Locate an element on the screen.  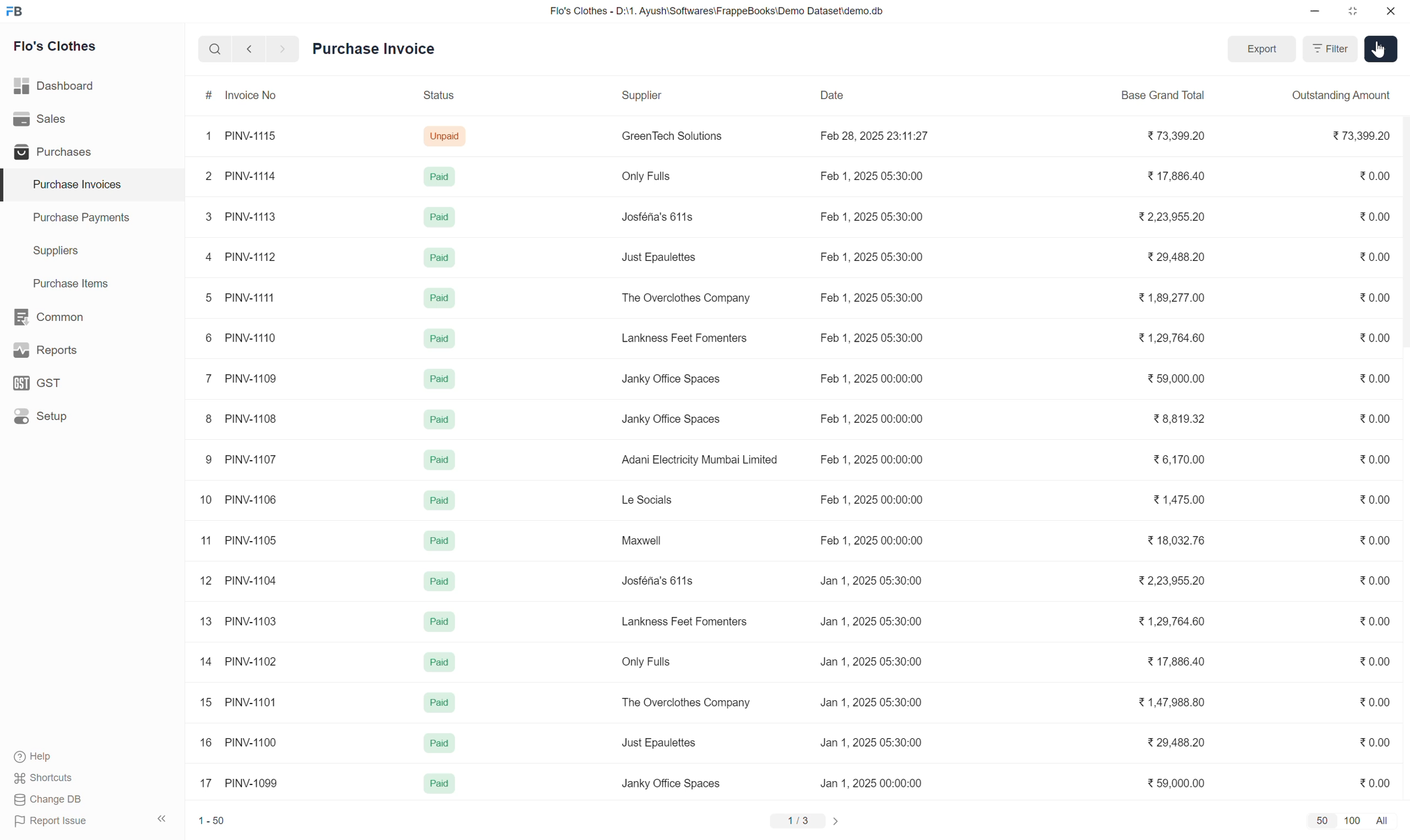
17 is located at coordinates (208, 782).